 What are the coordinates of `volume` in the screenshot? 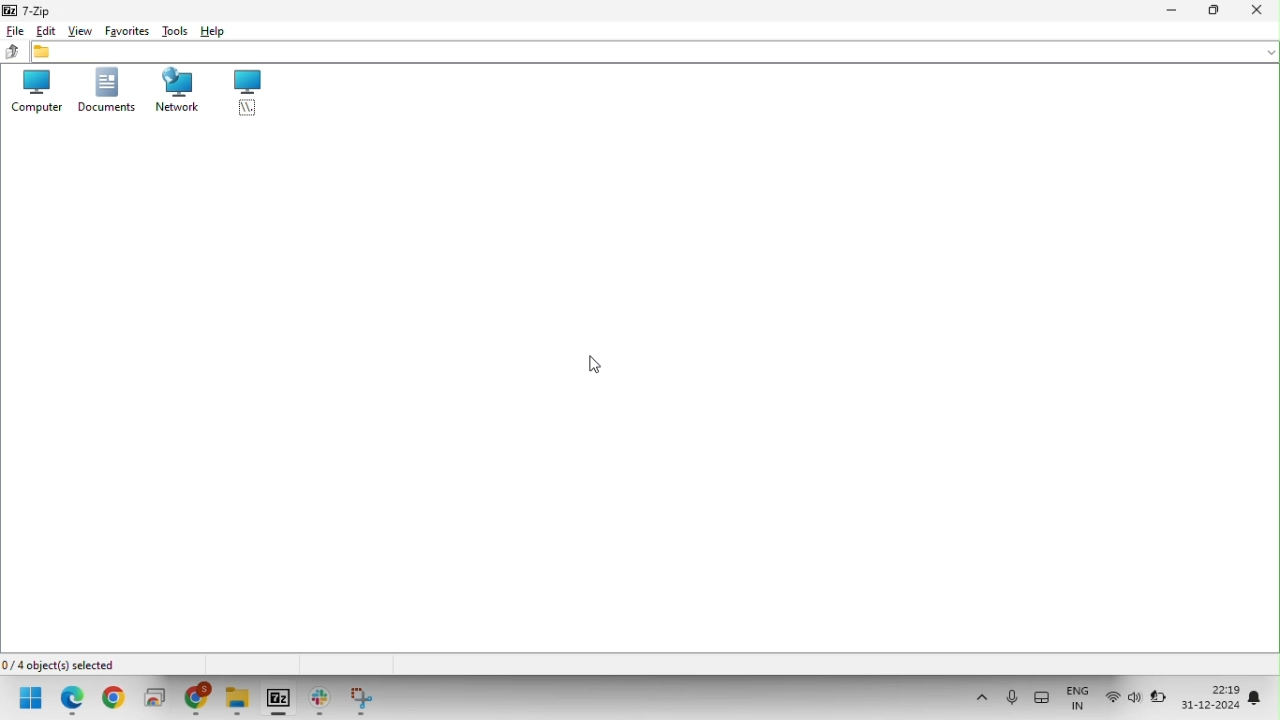 It's located at (1133, 697).